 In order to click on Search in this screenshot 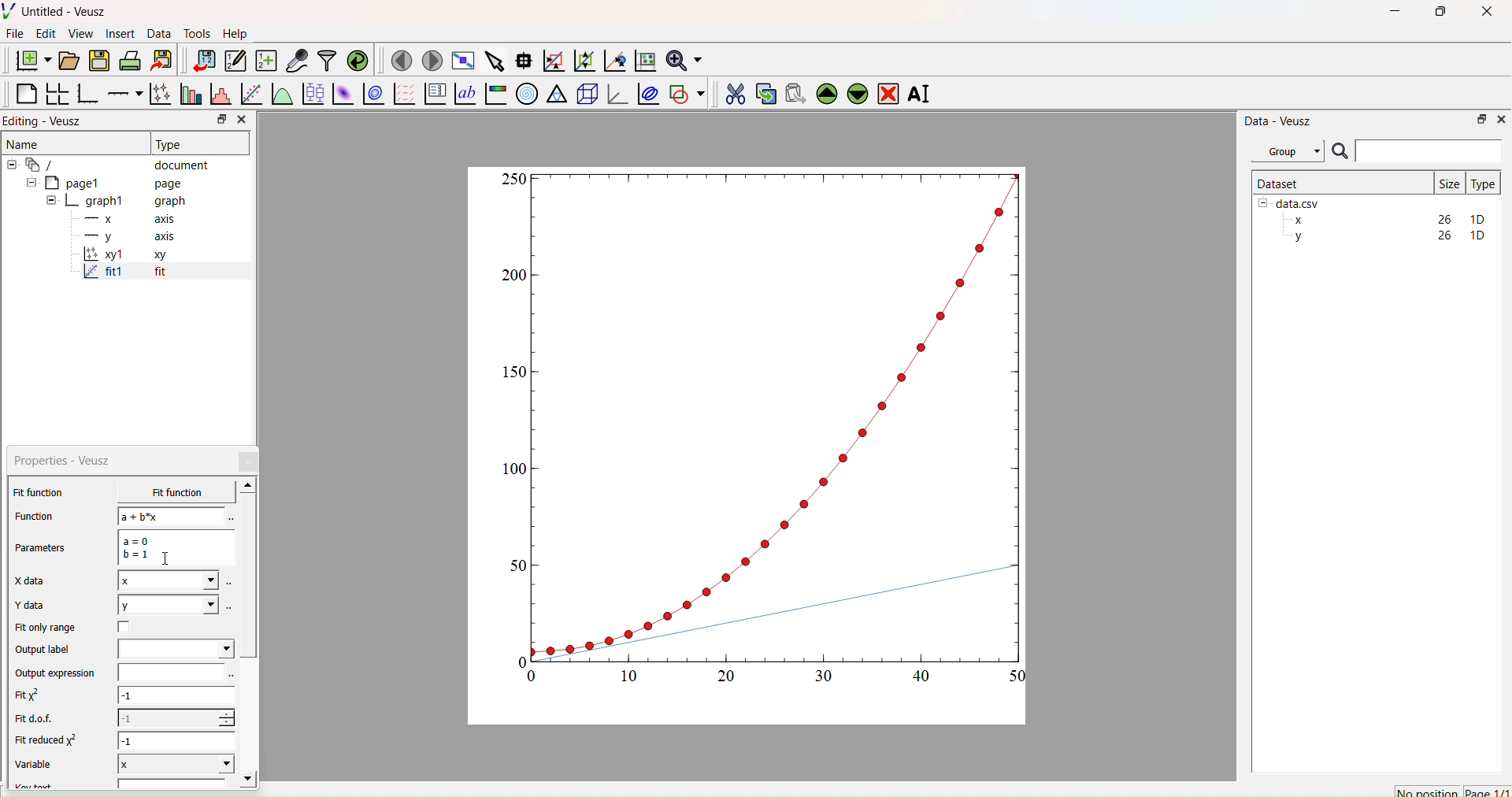, I will do `click(1340, 152)`.